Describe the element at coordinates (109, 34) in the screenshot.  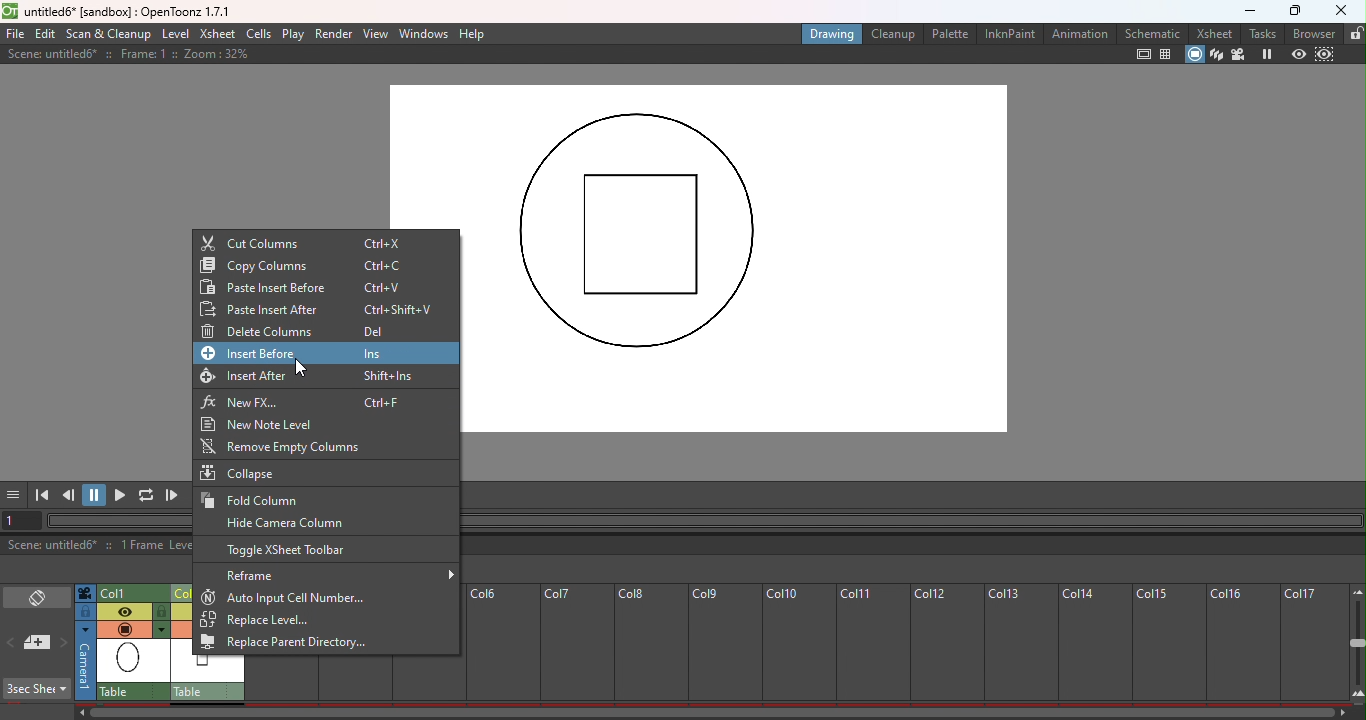
I see `Scan & Cleanup` at that location.